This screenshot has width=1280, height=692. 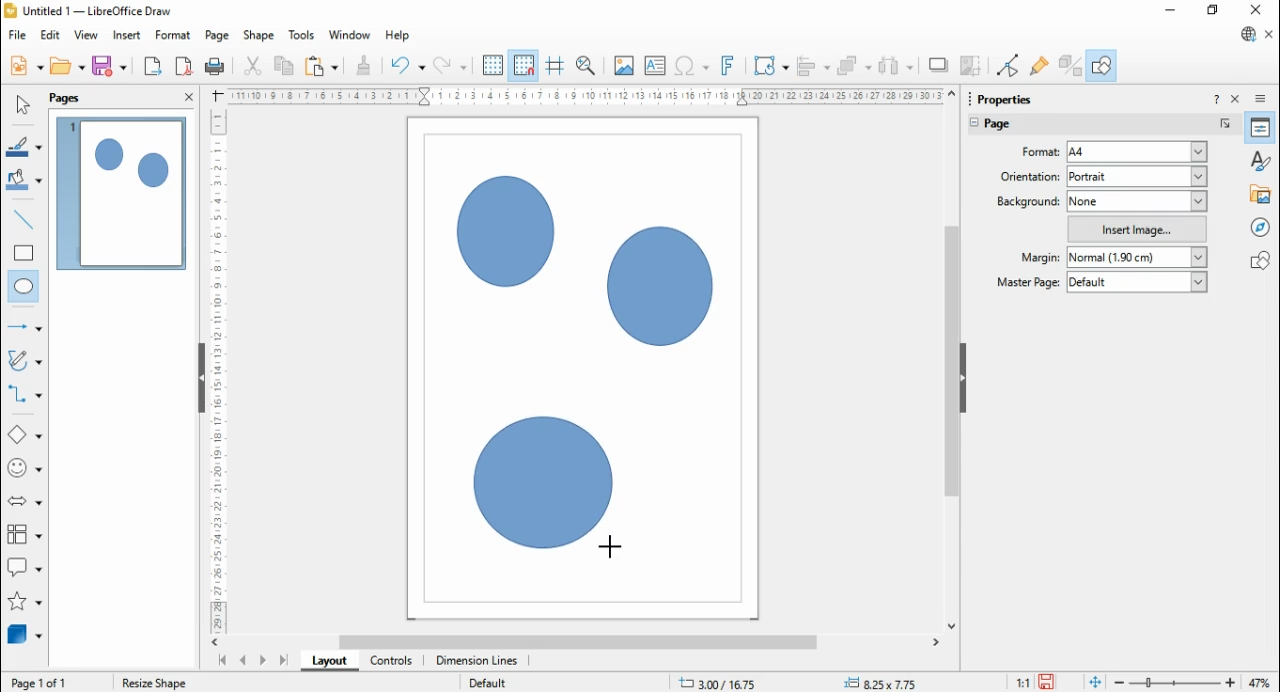 I want to click on clone formatting, so click(x=364, y=65).